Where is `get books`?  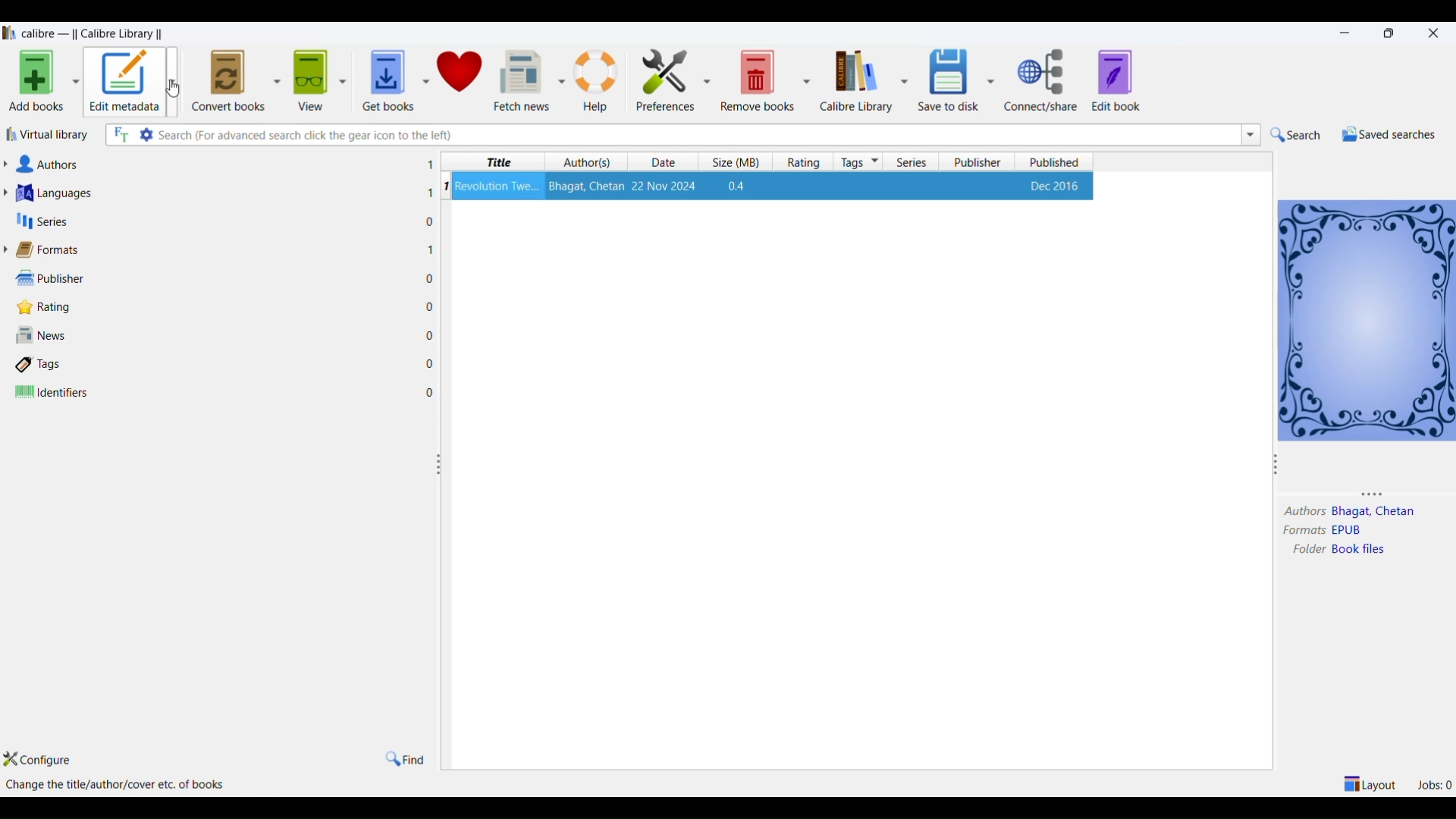 get books is located at coordinates (383, 76).